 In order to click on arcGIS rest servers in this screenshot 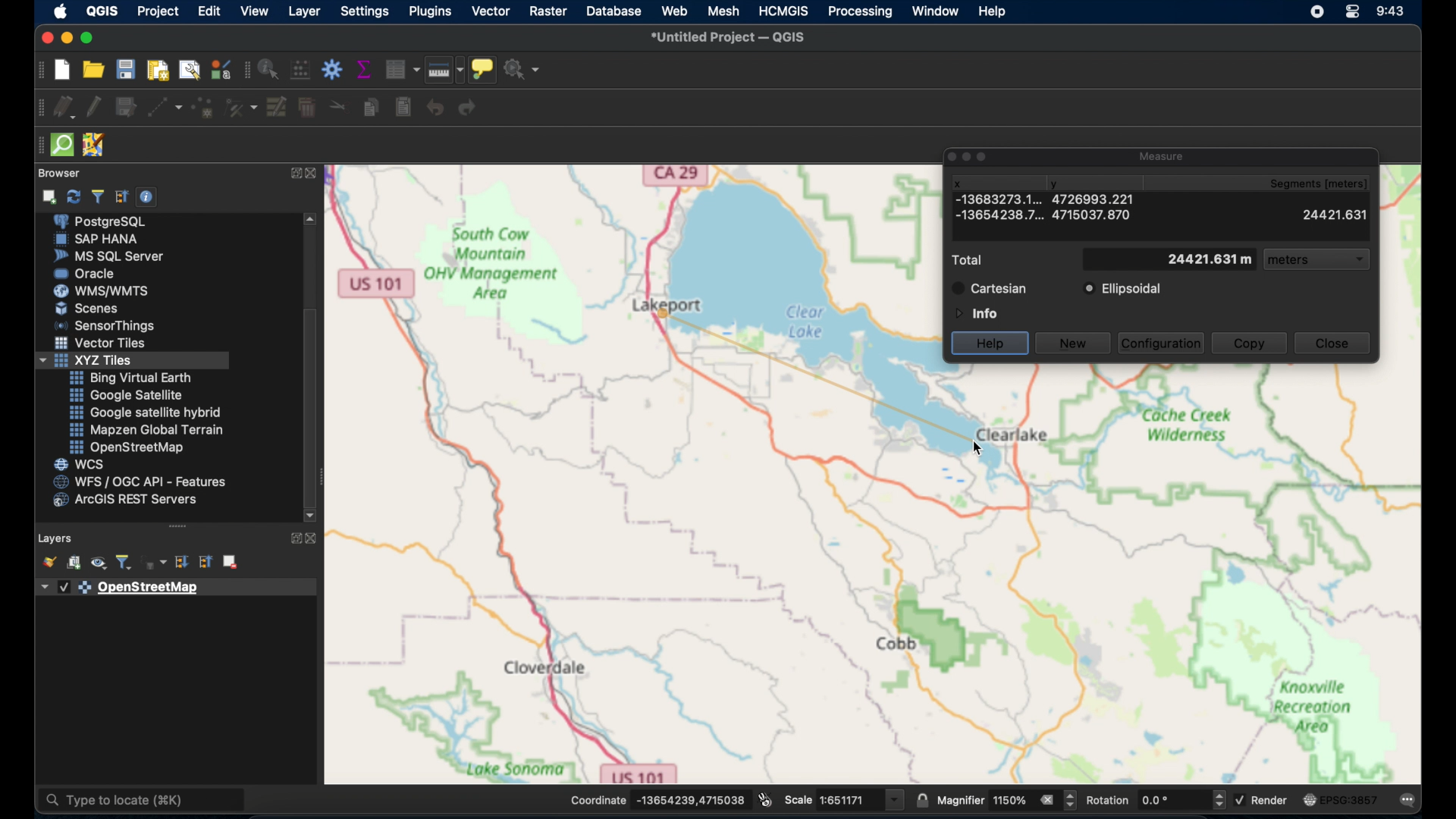, I will do `click(129, 502)`.